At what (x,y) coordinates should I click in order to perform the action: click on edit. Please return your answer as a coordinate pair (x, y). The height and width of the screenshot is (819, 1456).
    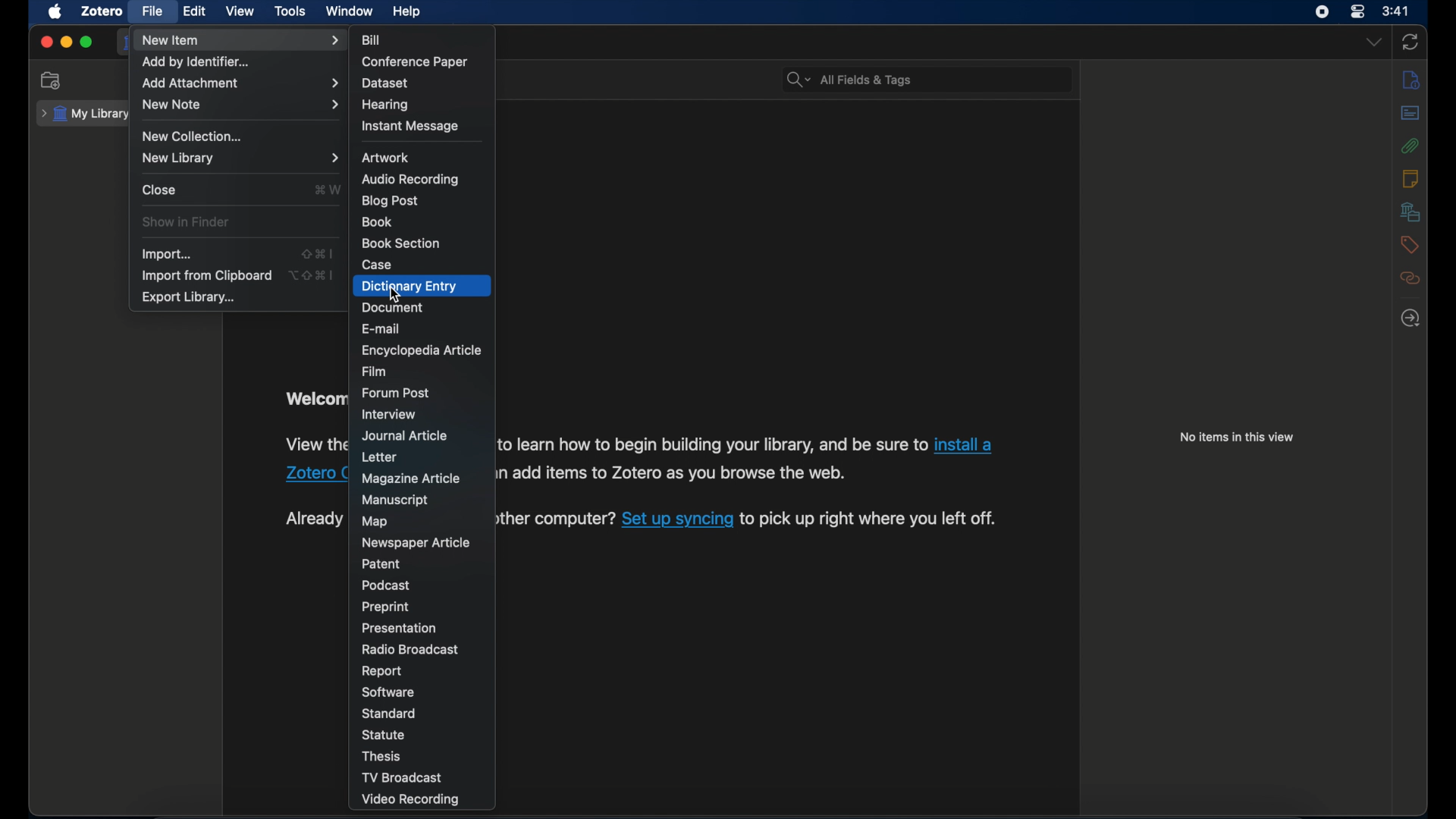
    Looking at the image, I should click on (196, 12).